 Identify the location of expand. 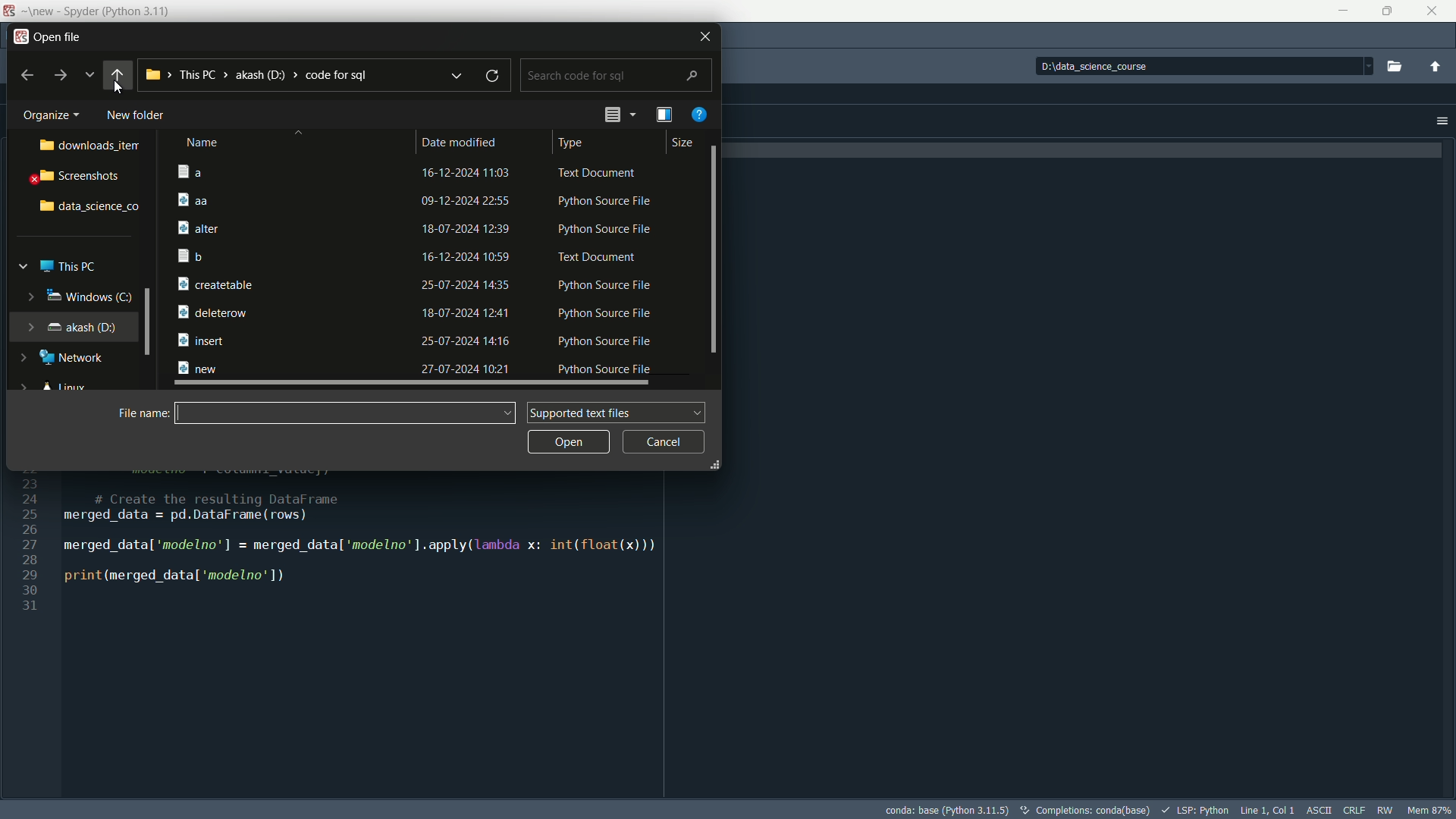
(715, 464).